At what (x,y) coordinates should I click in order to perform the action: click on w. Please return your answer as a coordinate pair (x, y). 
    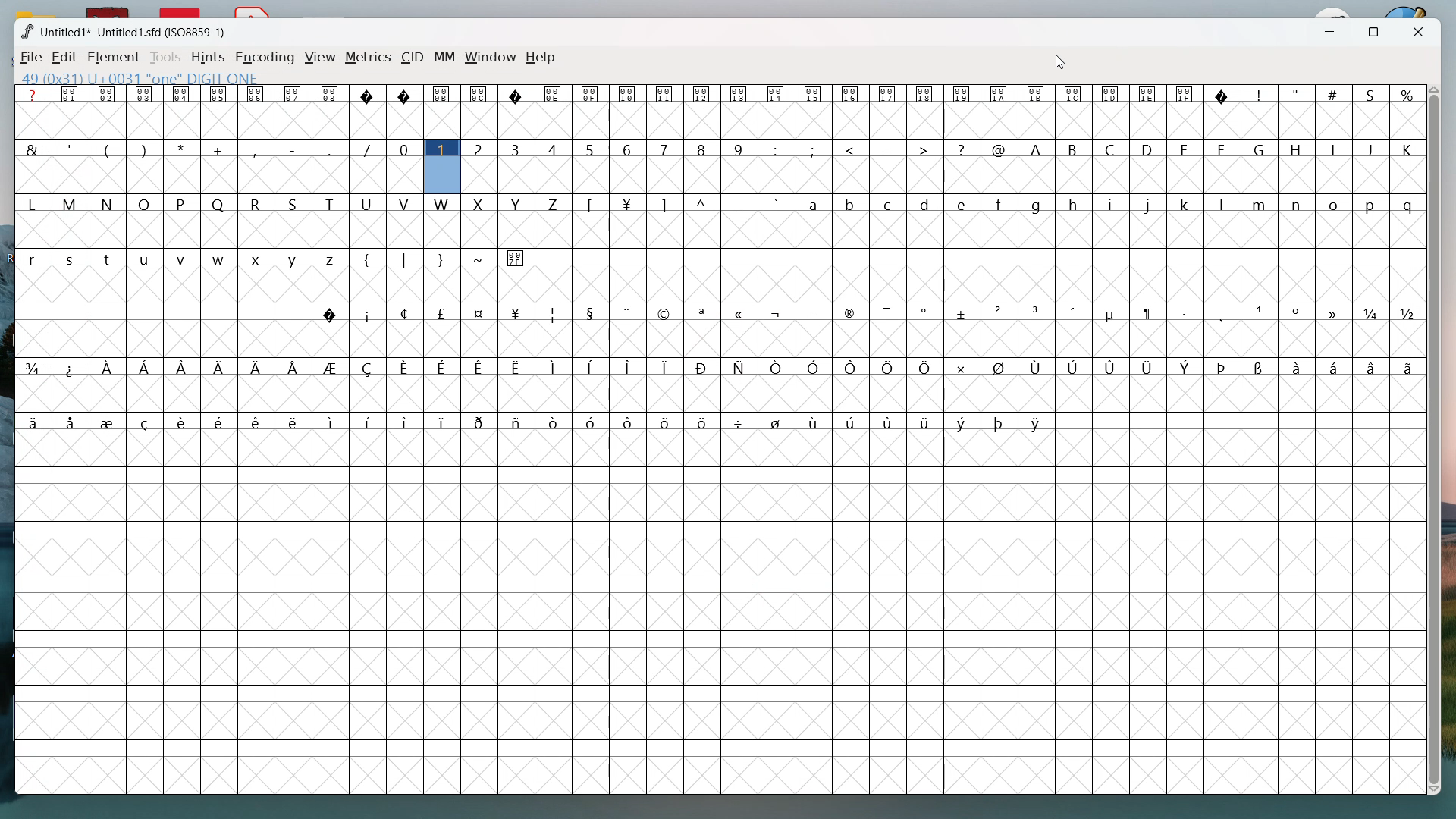
    Looking at the image, I should click on (221, 258).